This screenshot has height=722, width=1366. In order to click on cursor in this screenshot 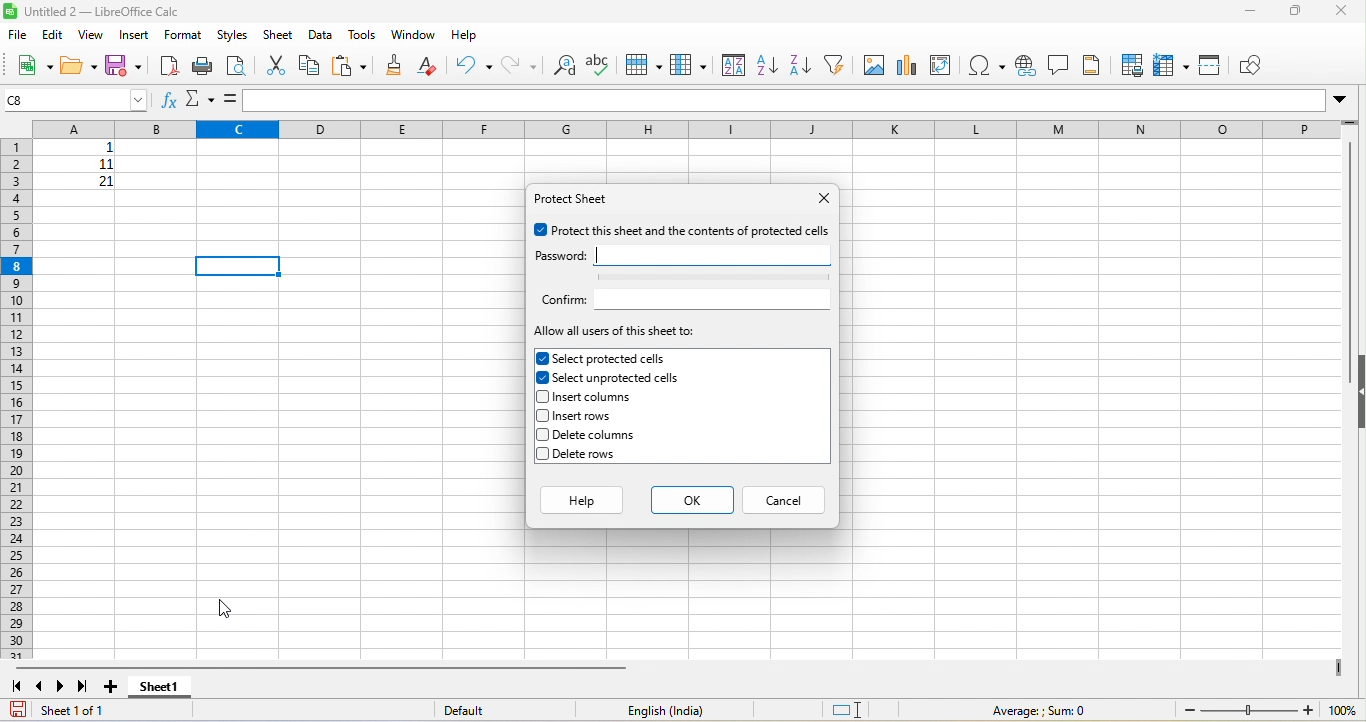, I will do `click(225, 609)`.